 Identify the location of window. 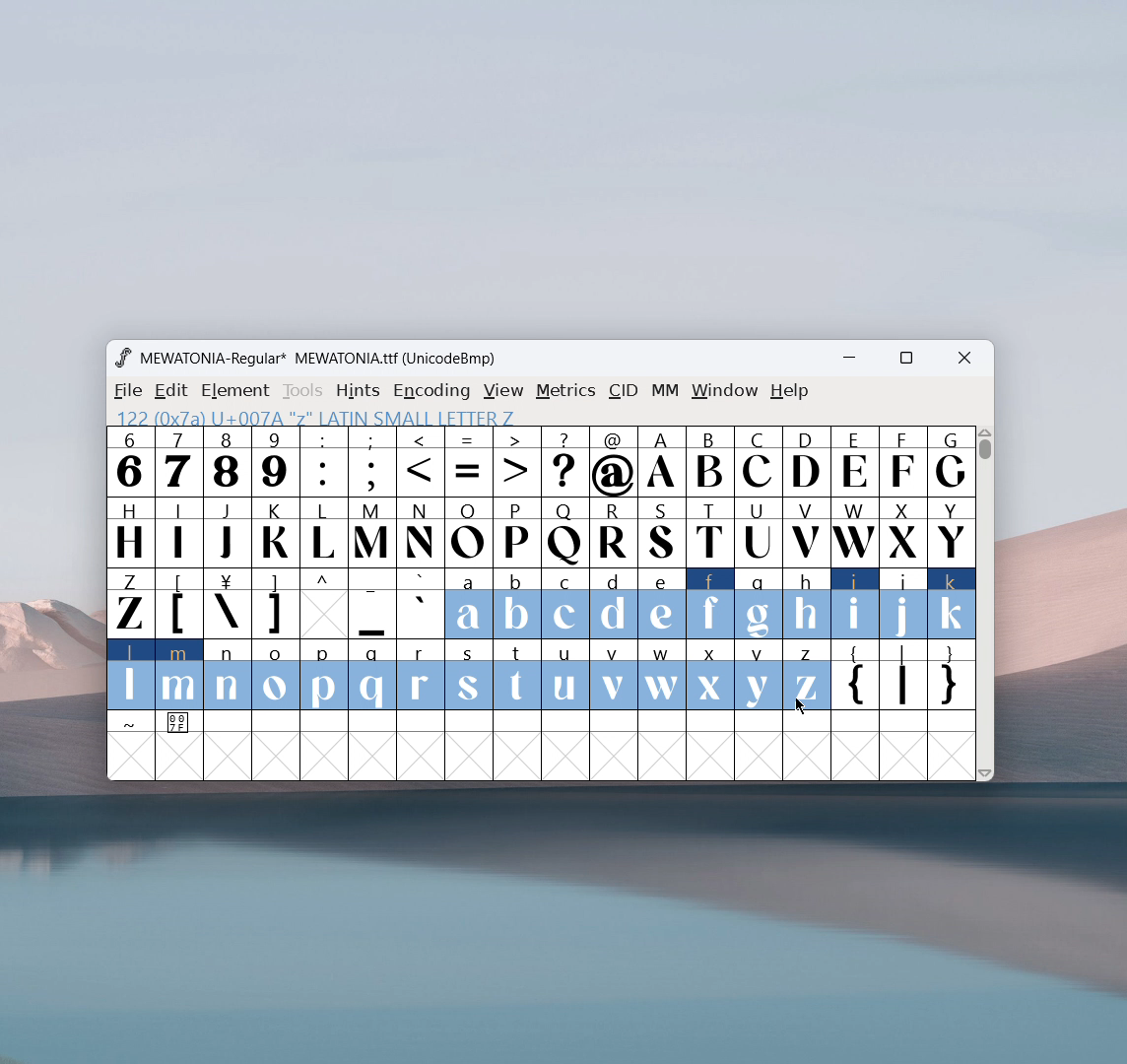
(725, 391).